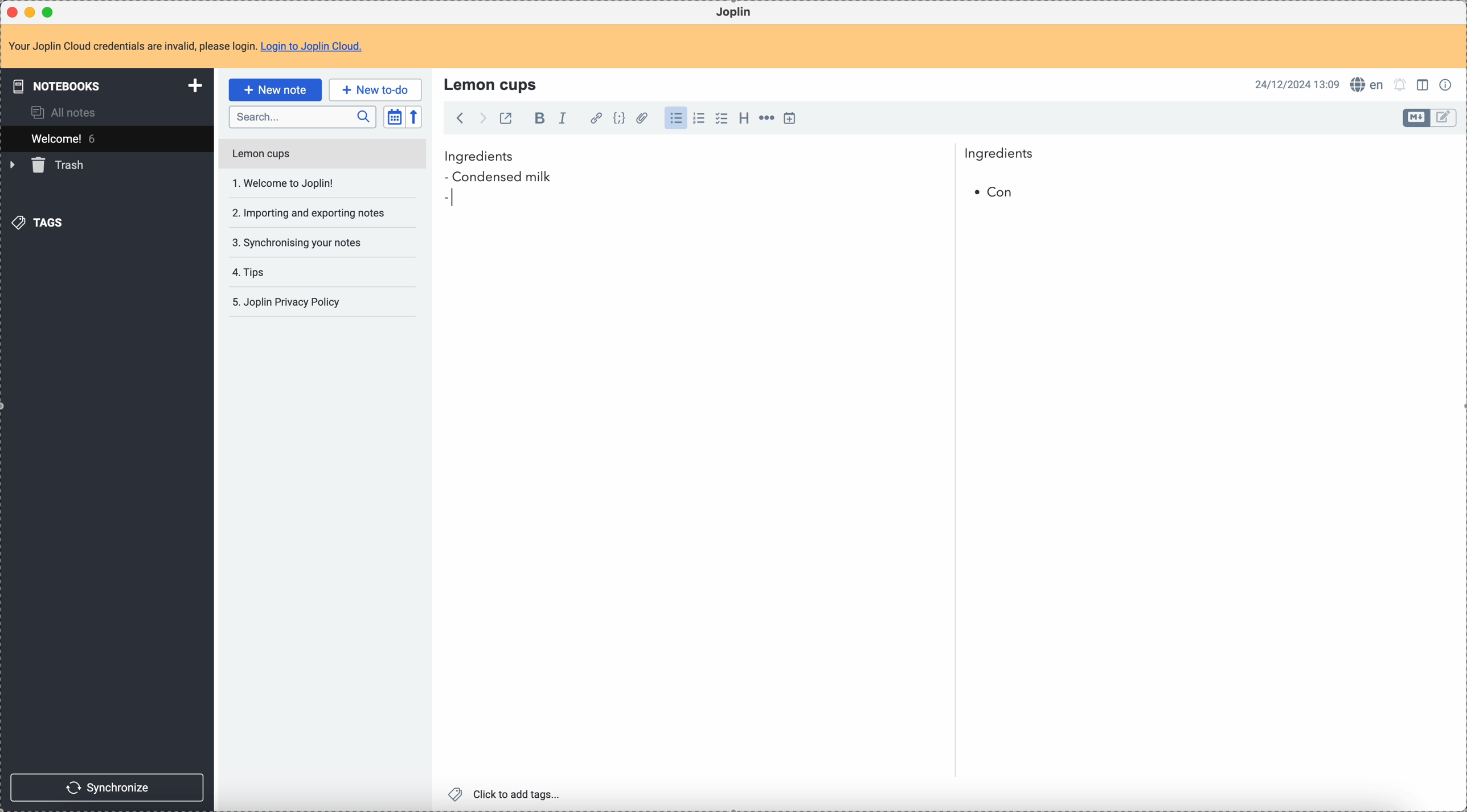 The width and height of the screenshot is (1467, 812). I want to click on ingredients normal typo, so click(739, 157).